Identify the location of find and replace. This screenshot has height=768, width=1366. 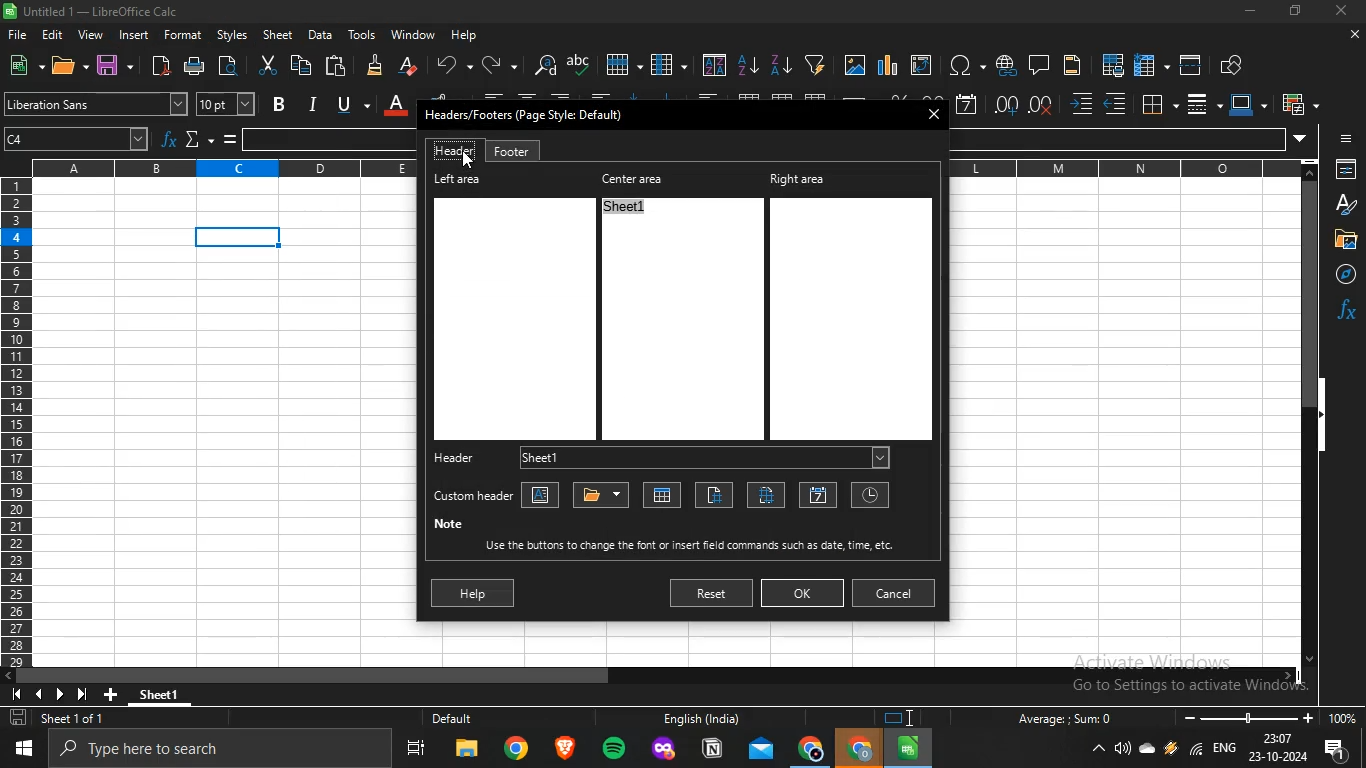
(543, 65).